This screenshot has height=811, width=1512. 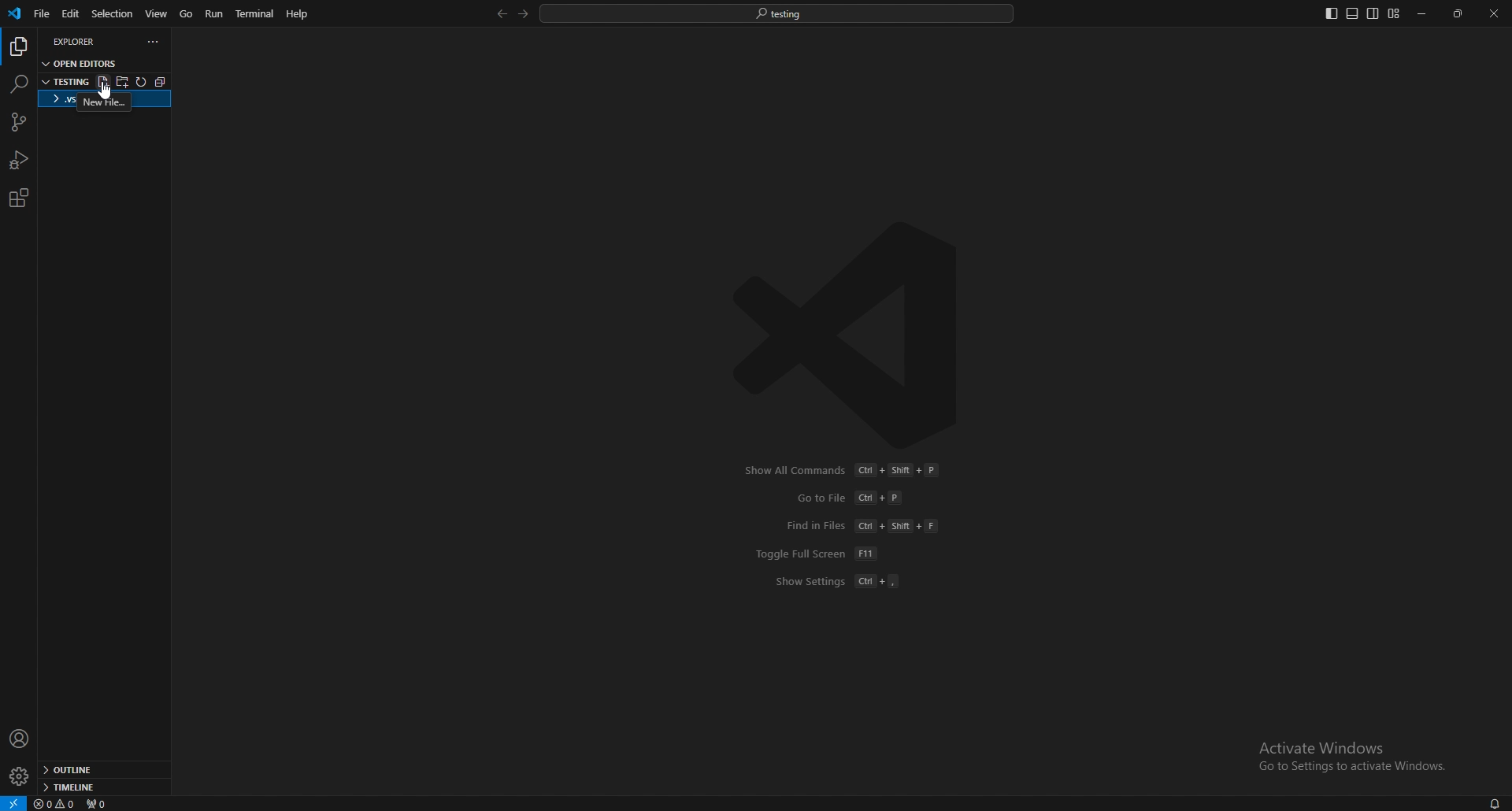 I want to click on collapse, so click(x=165, y=81).